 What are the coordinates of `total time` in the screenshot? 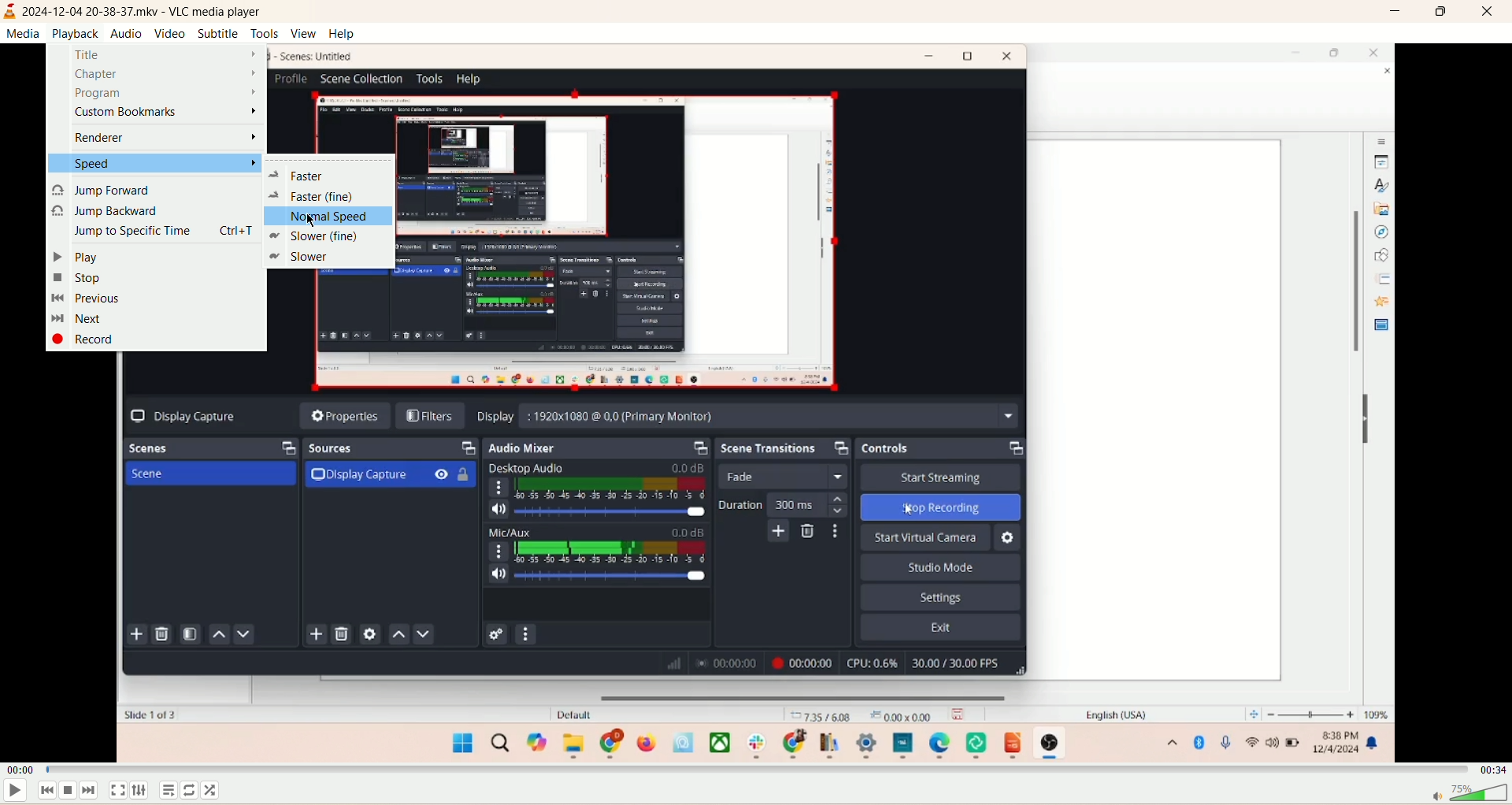 It's located at (1492, 769).